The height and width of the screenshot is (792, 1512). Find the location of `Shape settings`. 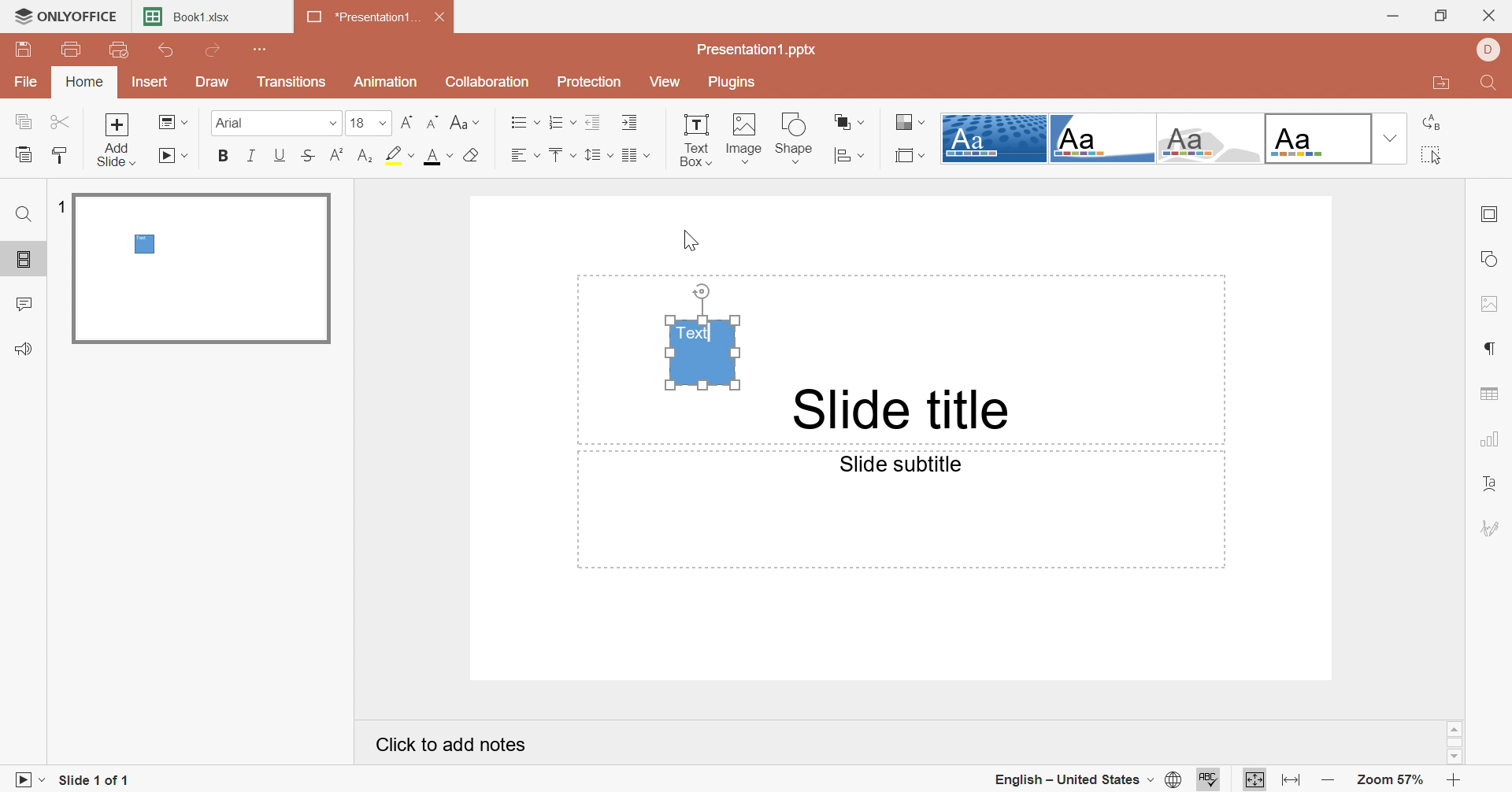

Shape settings is located at coordinates (1493, 264).